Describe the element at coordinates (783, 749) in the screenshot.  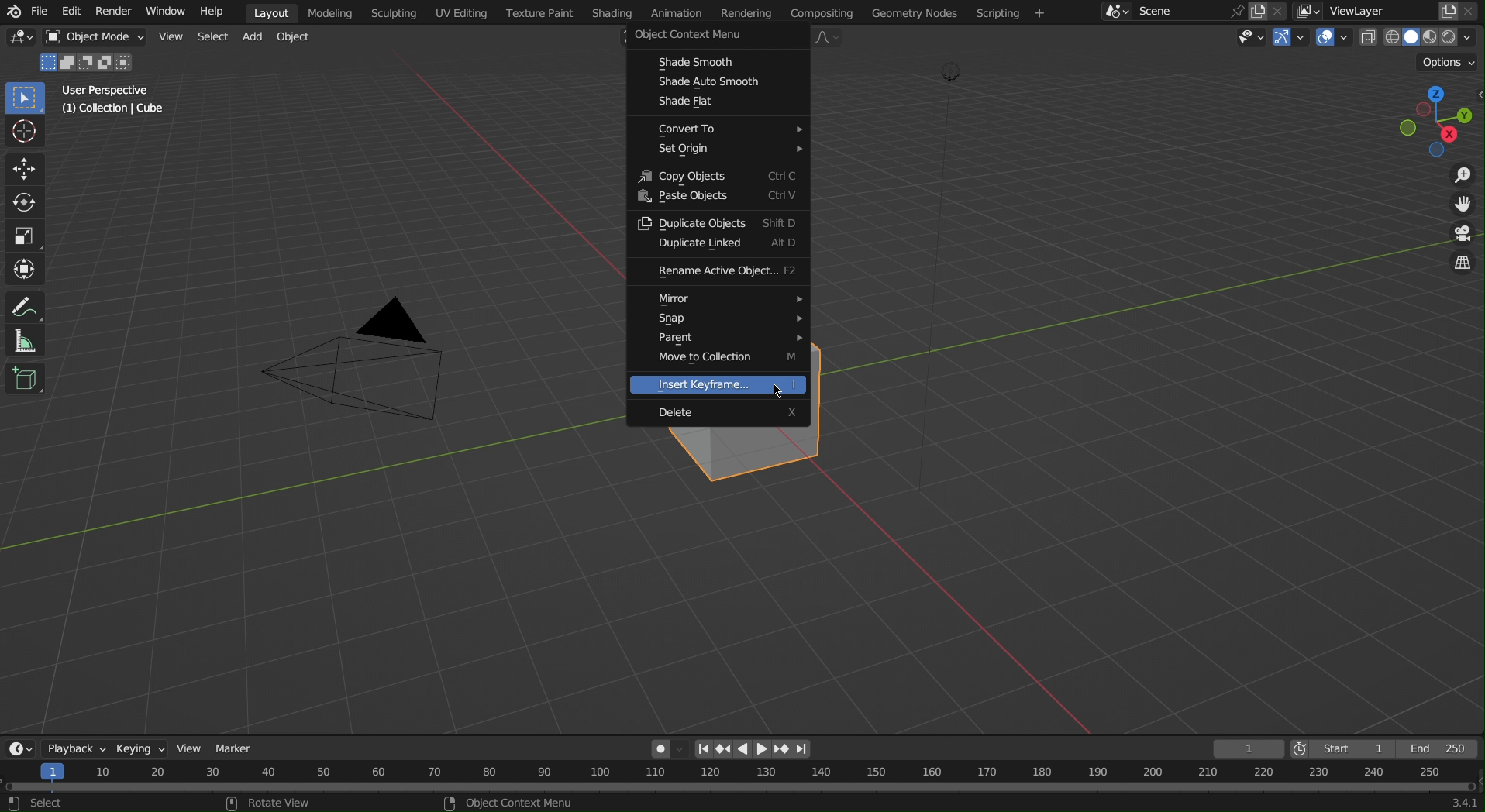
I see `next` at that location.